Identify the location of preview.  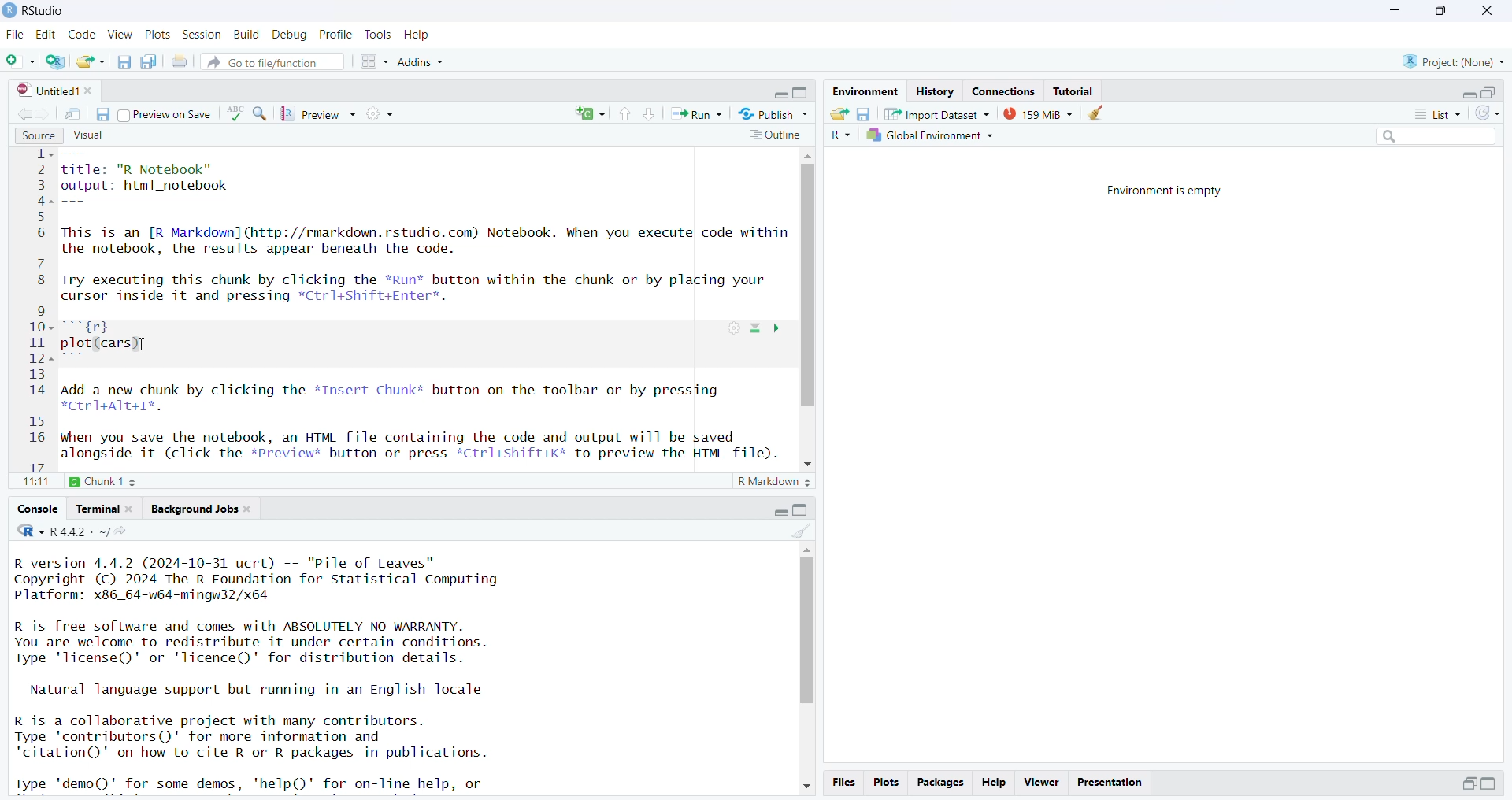
(322, 114).